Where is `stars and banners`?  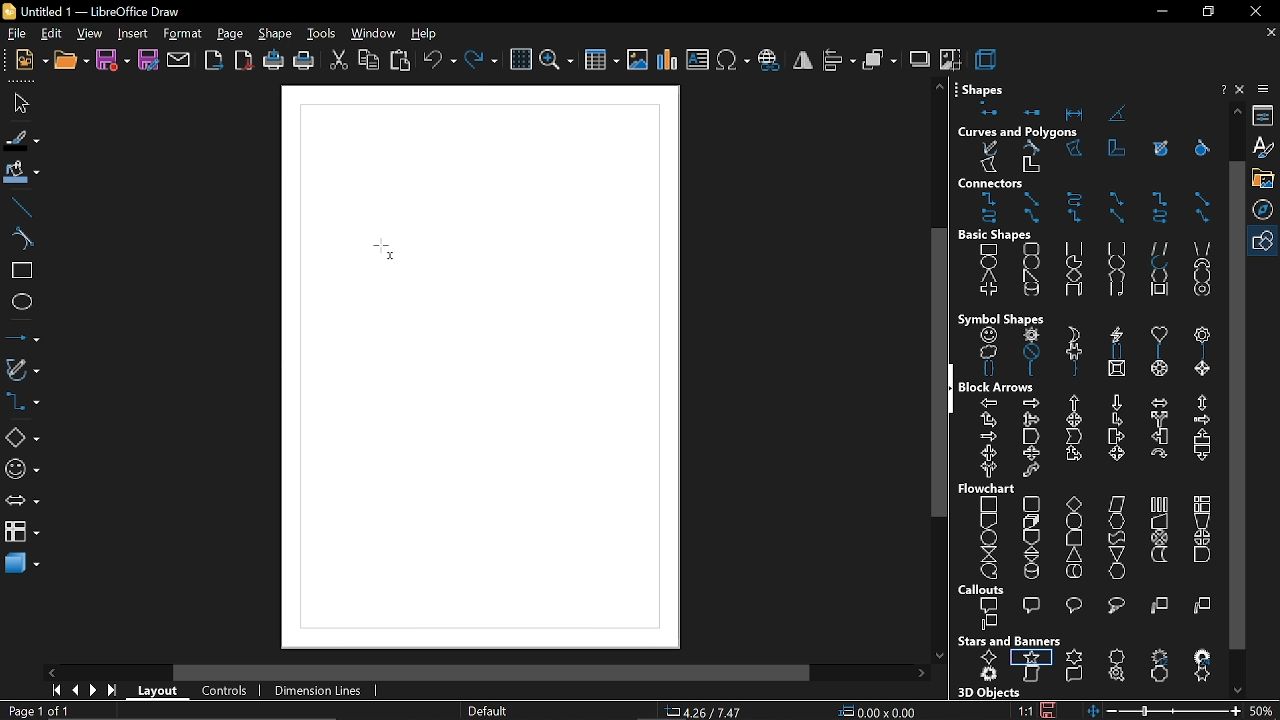 stars and banners is located at coordinates (1011, 641).